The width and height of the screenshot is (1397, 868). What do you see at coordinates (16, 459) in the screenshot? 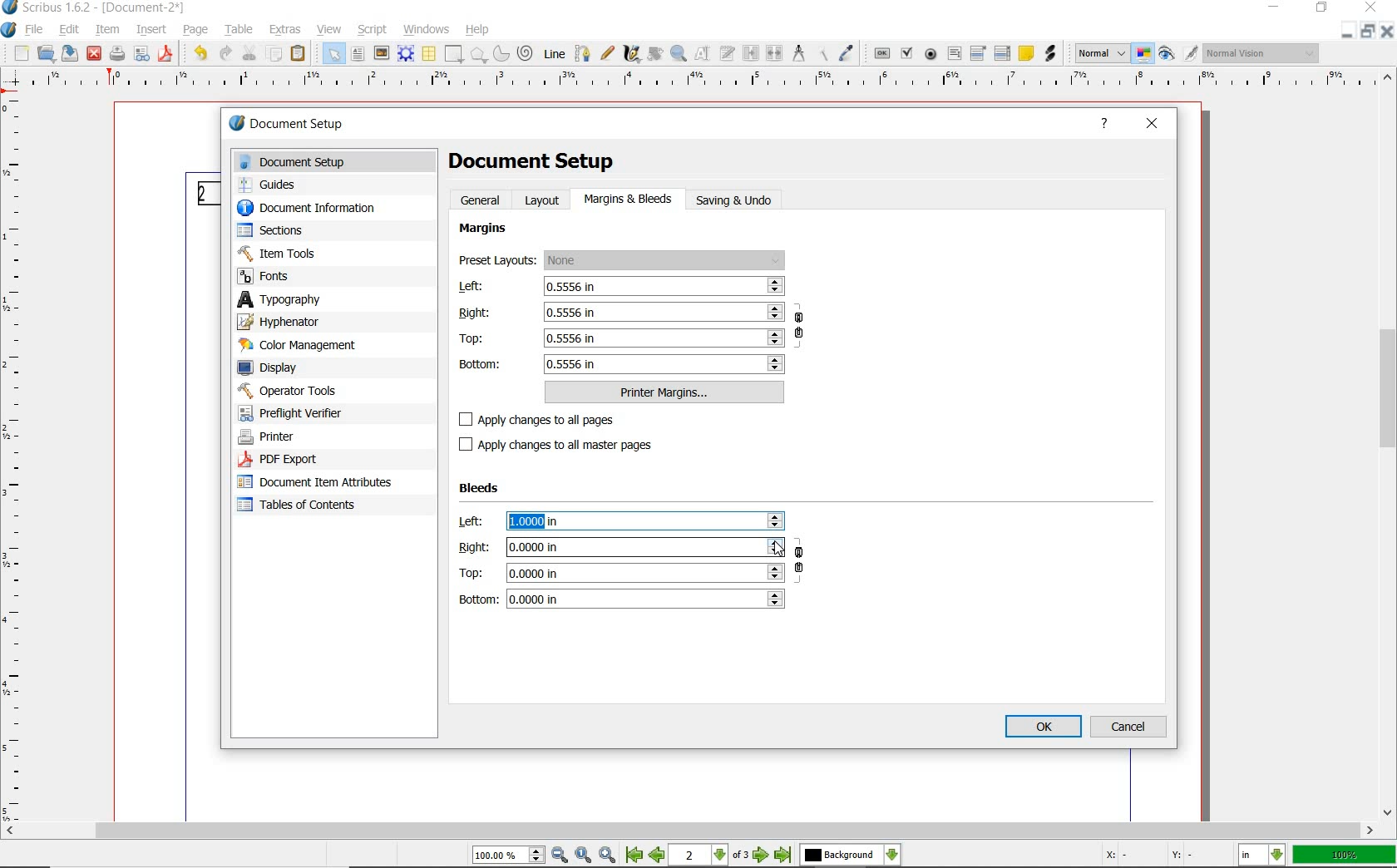
I see `Vertical Margin` at bounding box center [16, 459].